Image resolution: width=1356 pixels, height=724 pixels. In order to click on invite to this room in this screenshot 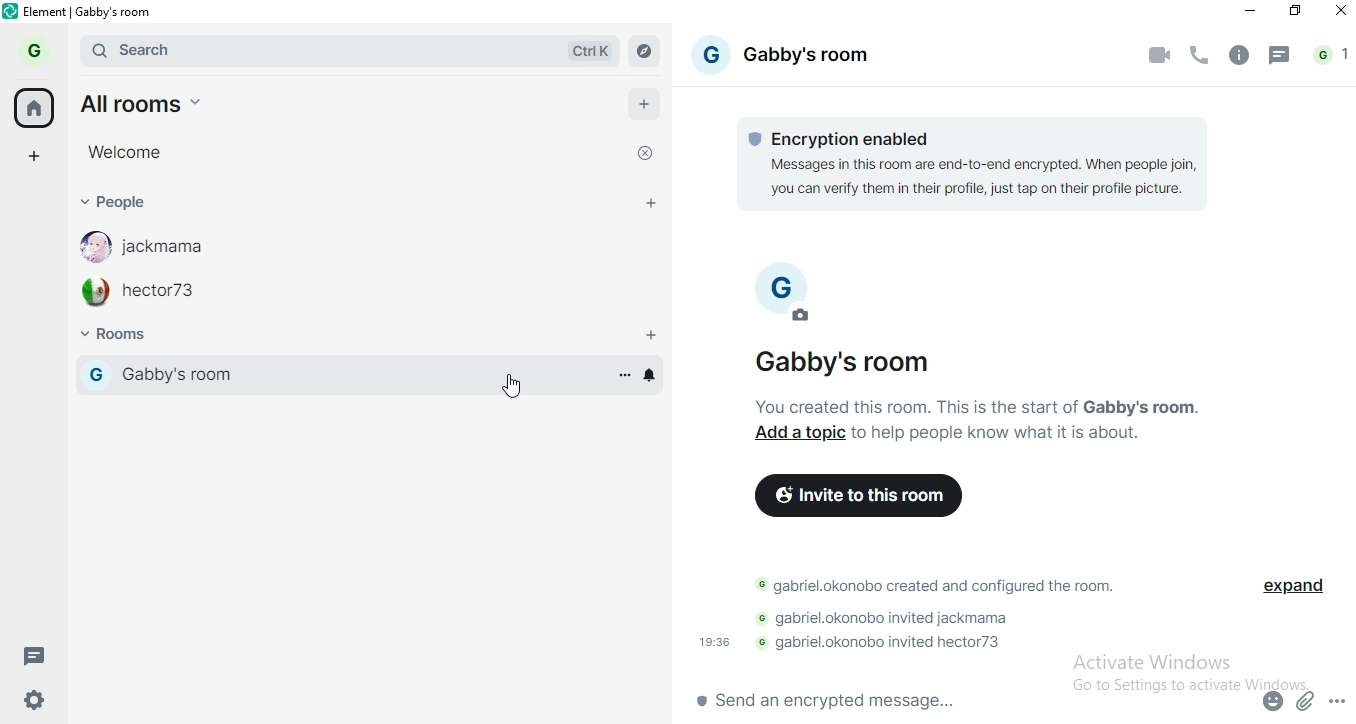, I will do `click(862, 499)`.